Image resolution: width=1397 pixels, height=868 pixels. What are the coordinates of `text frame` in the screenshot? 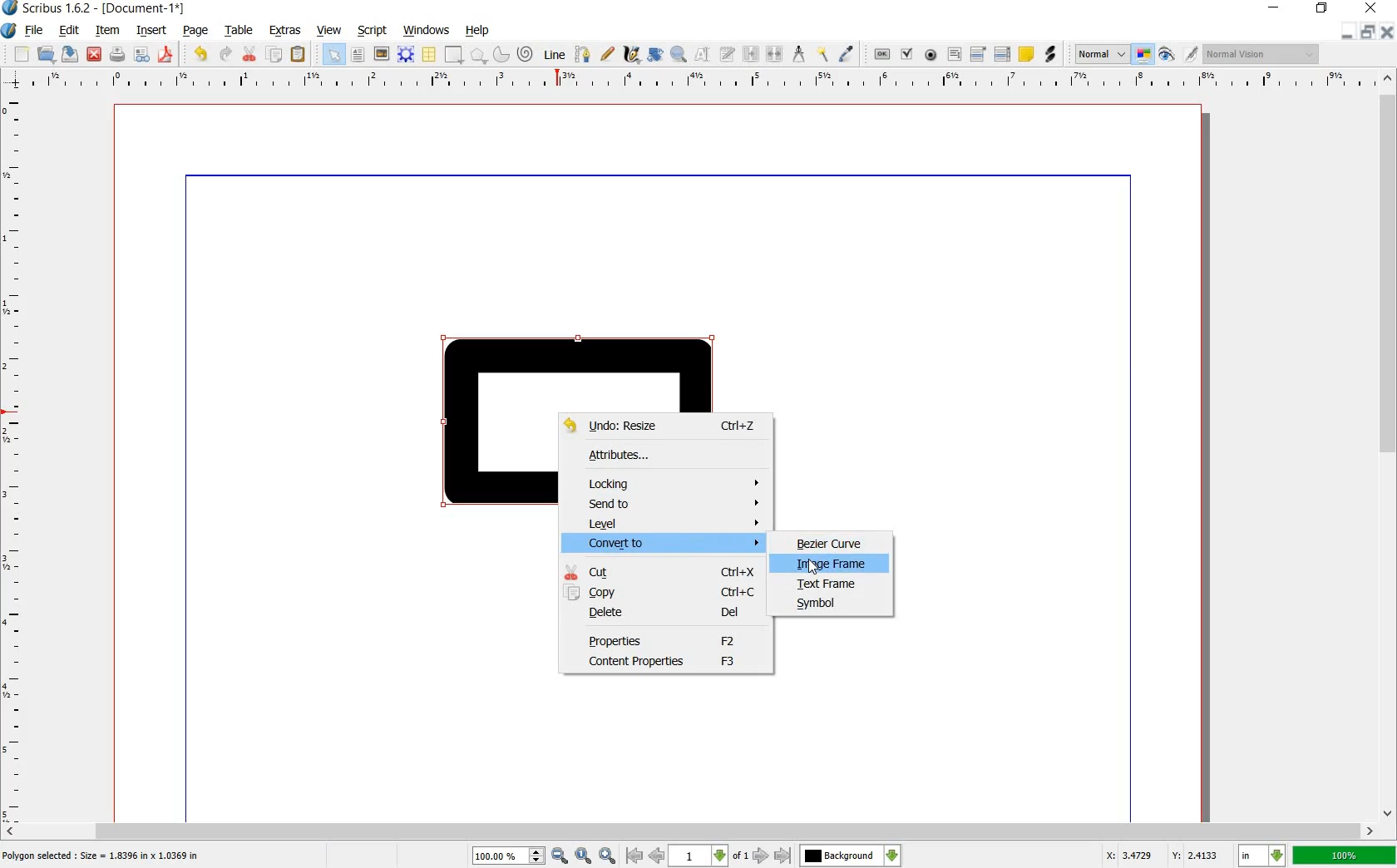 It's located at (357, 55).